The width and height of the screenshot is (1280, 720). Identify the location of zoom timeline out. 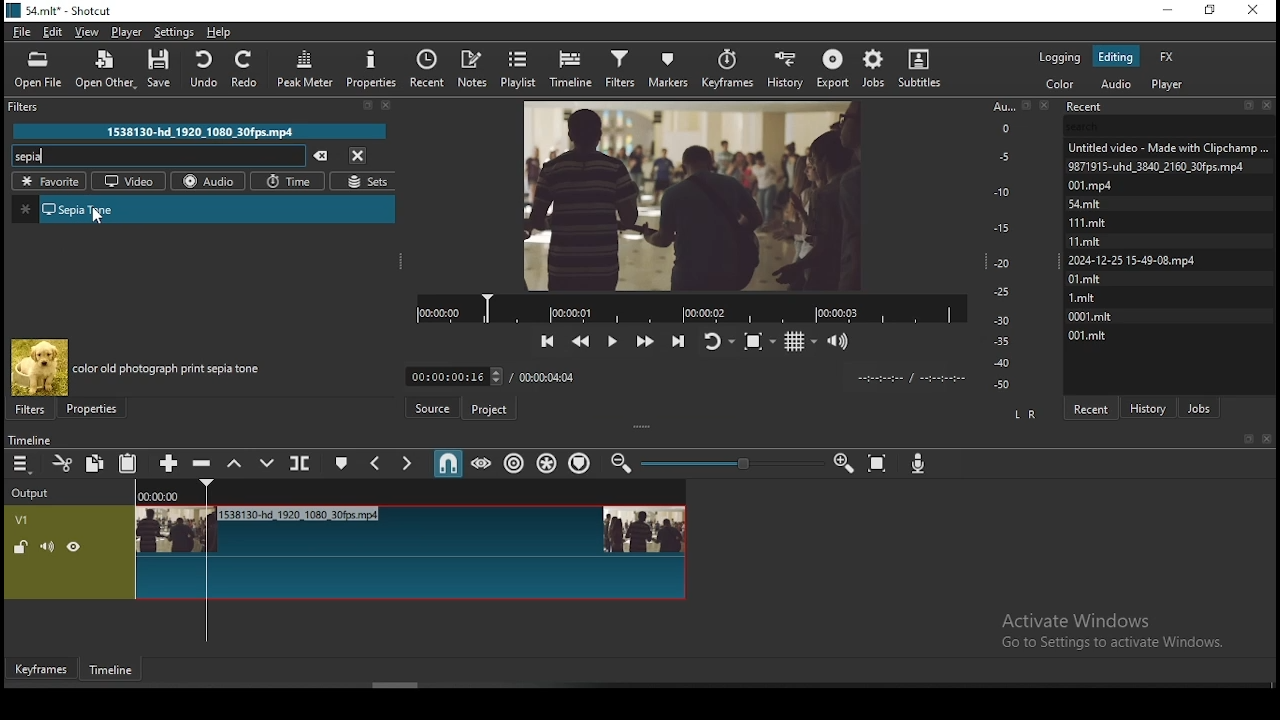
(843, 466).